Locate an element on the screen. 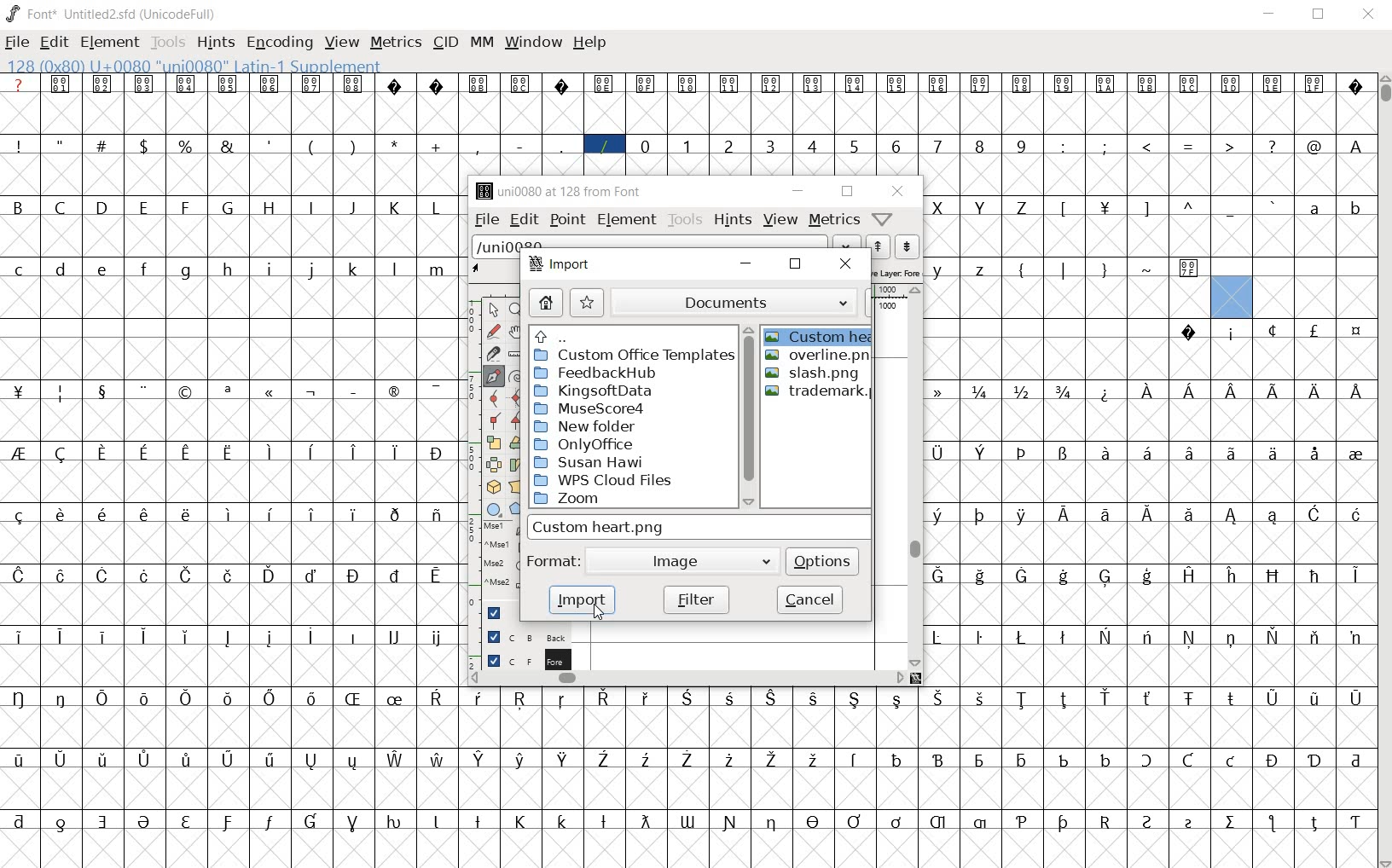 This screenshot has height=868, width=1392. glyph is located at coordinates (939, 698).